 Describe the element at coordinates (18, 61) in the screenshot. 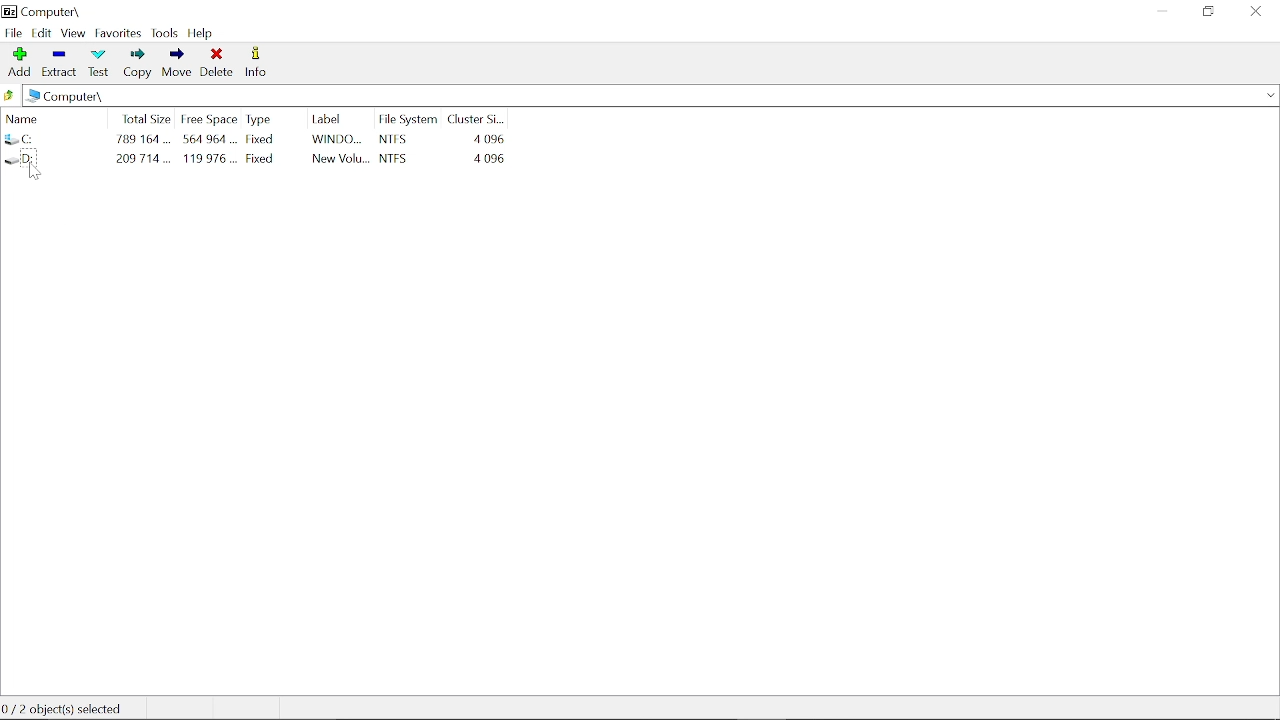

I see `add` at that location.